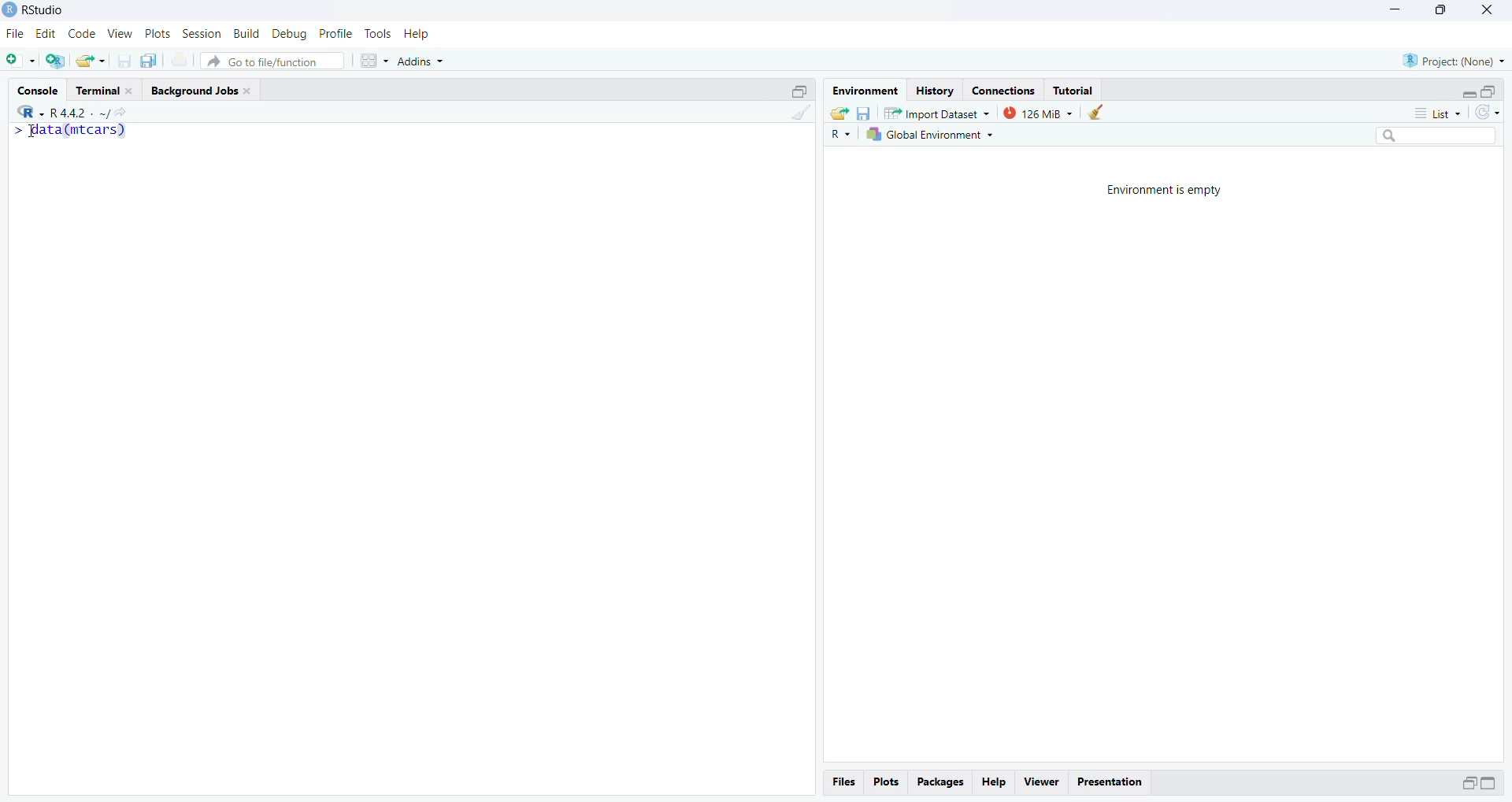 The image size is (1512, 802). What do you see at coordinates (1488, 783) in the screenshot?
I see `minimize` at bounding box center [1488, 783].